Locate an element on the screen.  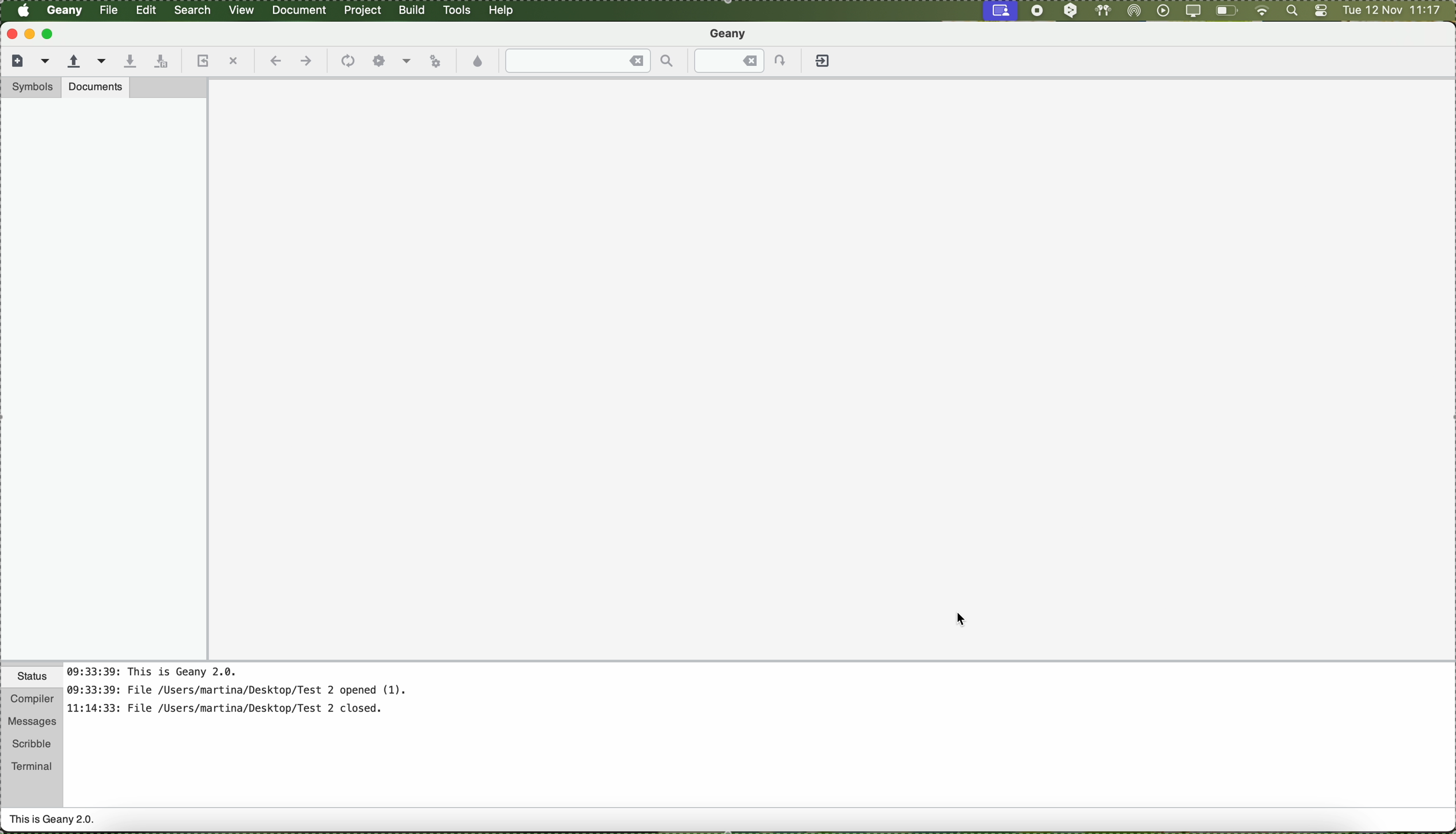
terminal is located at coordinates (32, 764).